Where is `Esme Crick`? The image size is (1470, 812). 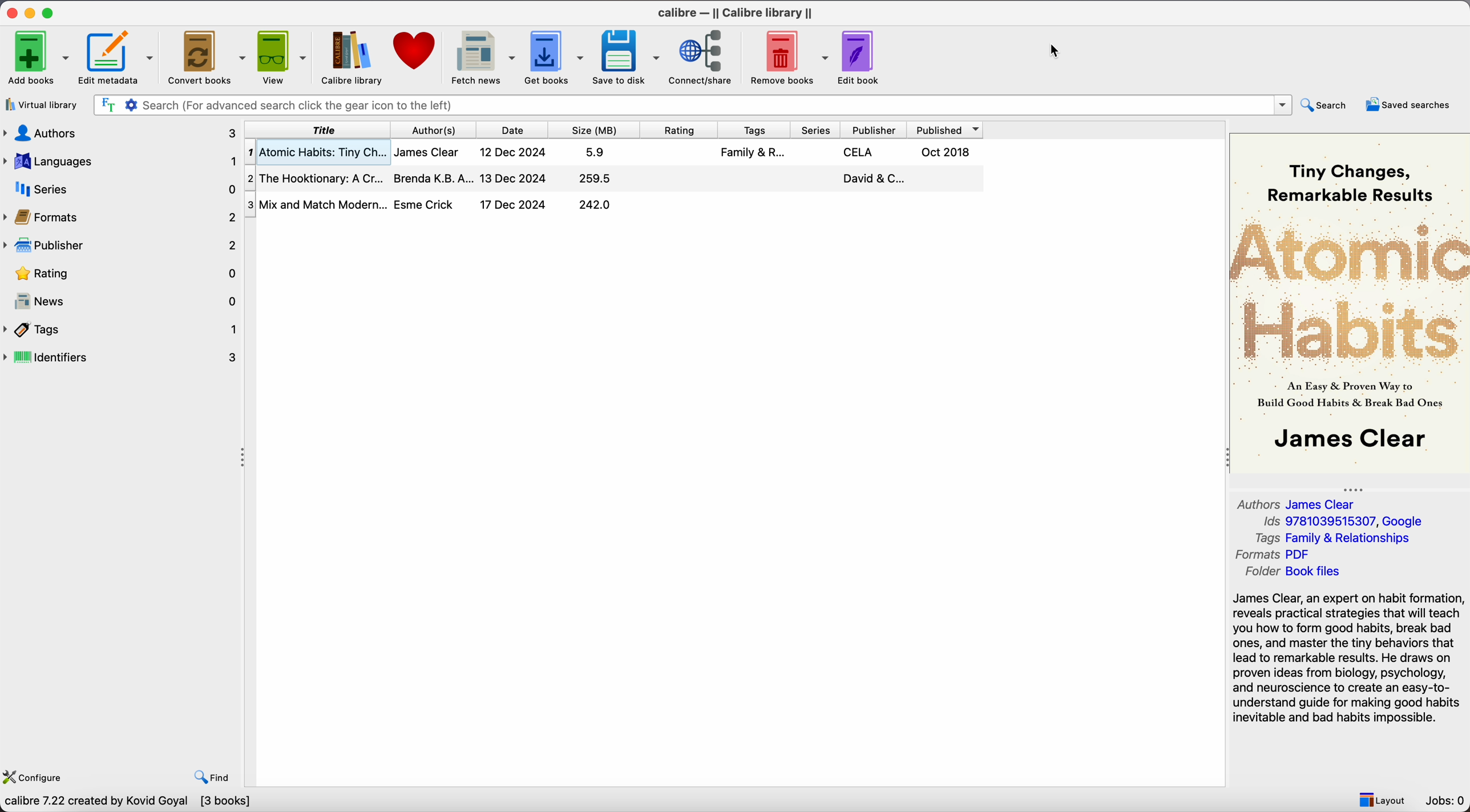 Esme Crick is located at coordinates (426, 204).